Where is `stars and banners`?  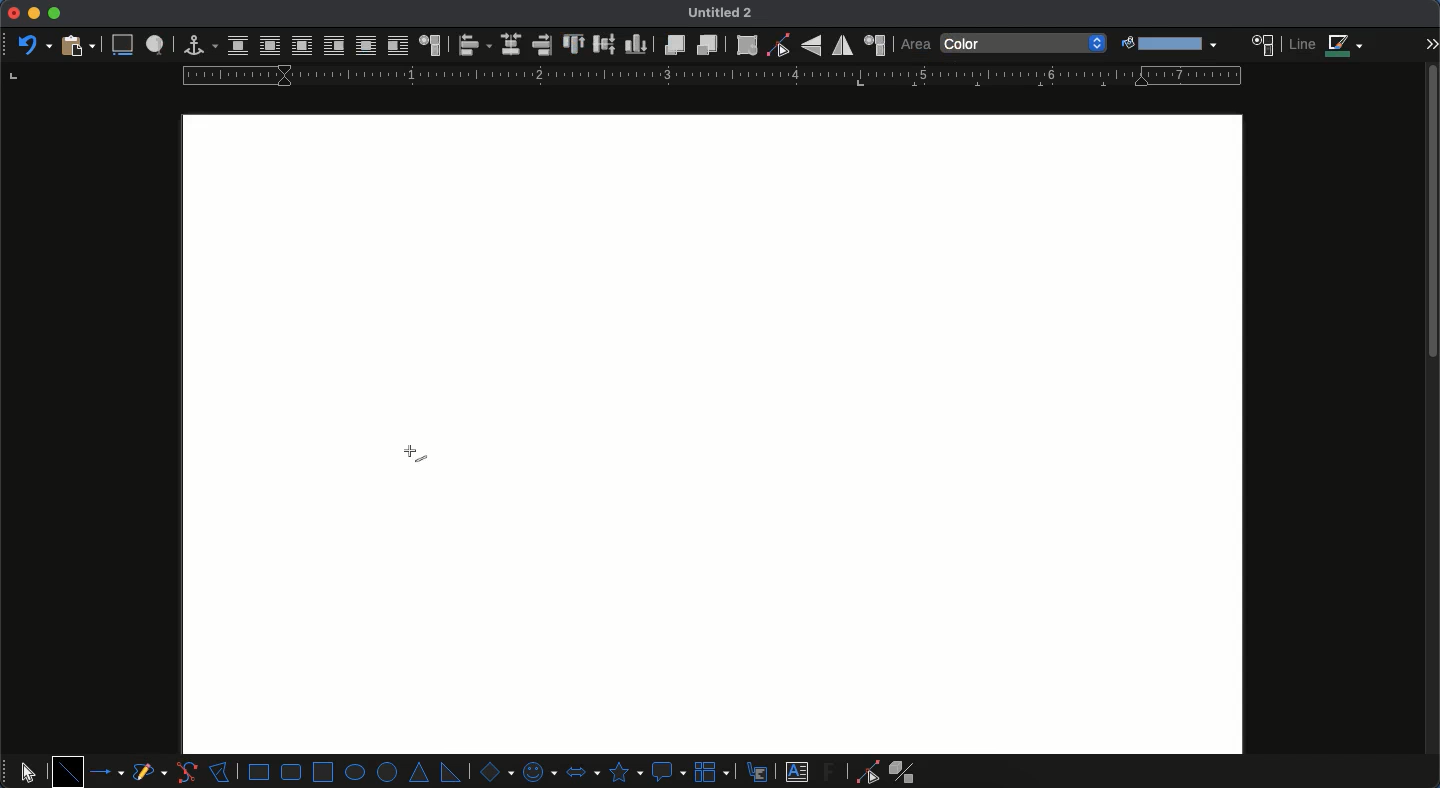
stars and banners is located at coordinates (624, 772).